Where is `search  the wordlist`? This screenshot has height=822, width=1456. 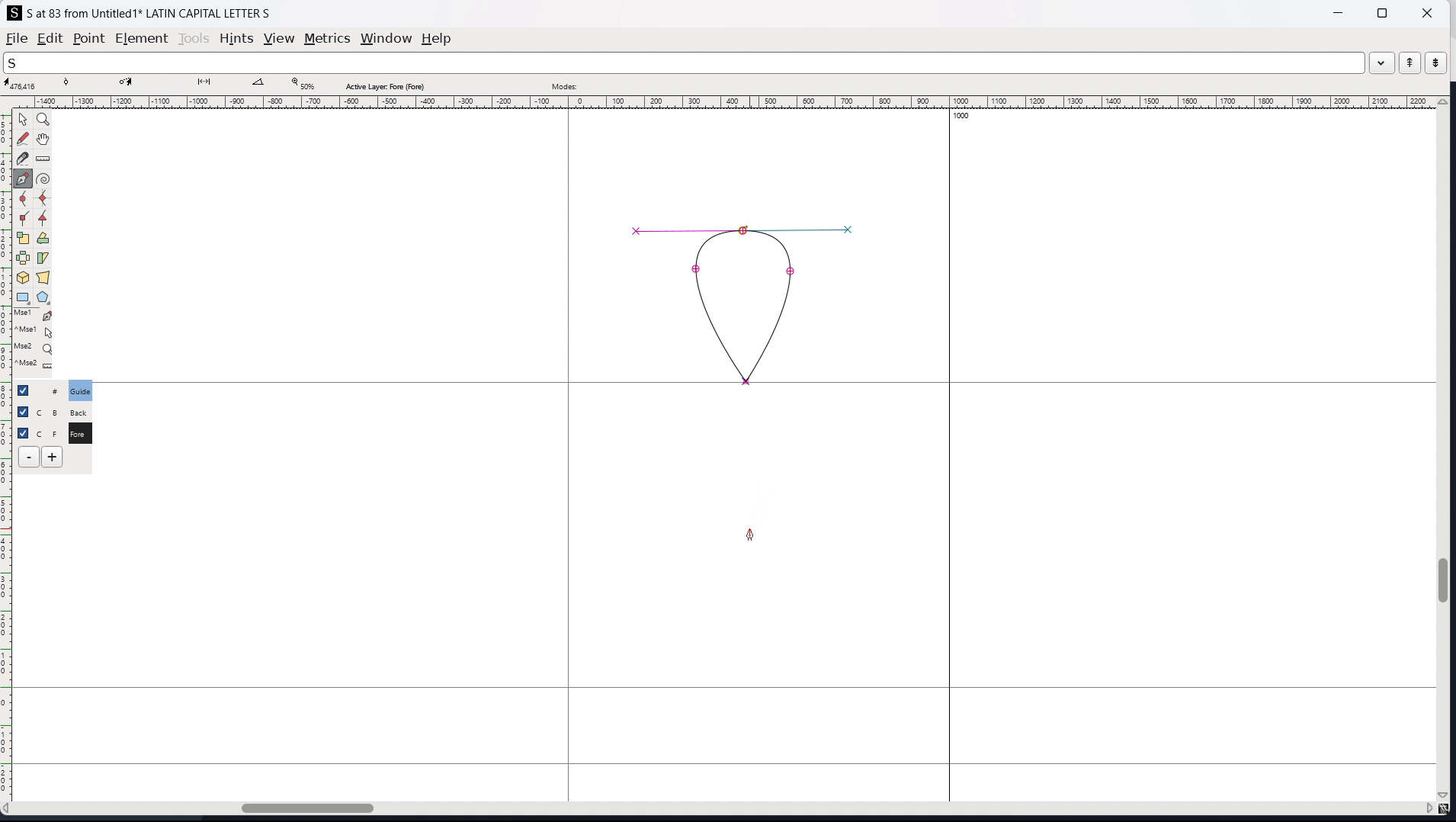 search  the wordlist is located at coordinates (684, 63).